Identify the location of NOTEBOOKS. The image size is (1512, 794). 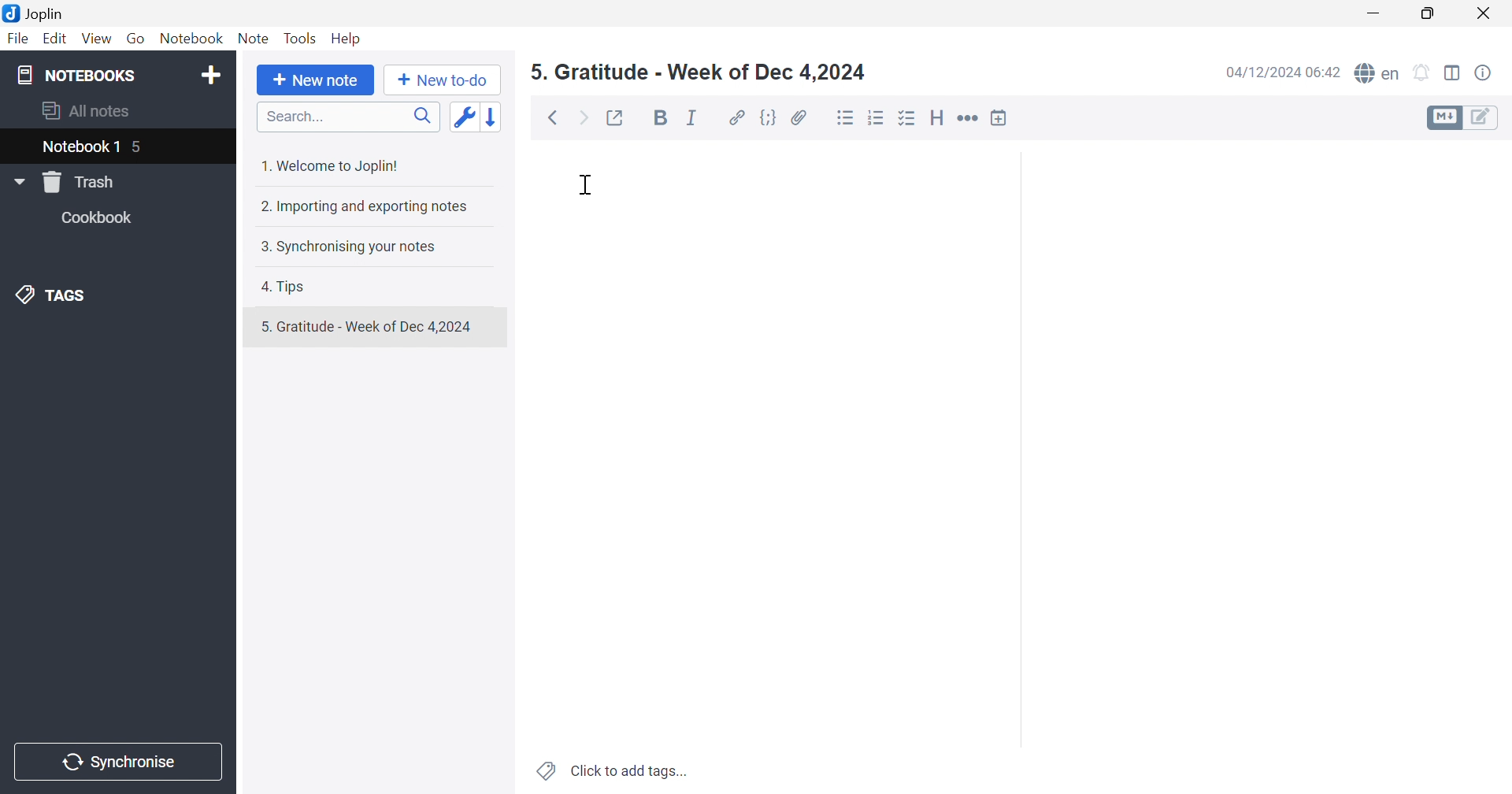
(73, 74).